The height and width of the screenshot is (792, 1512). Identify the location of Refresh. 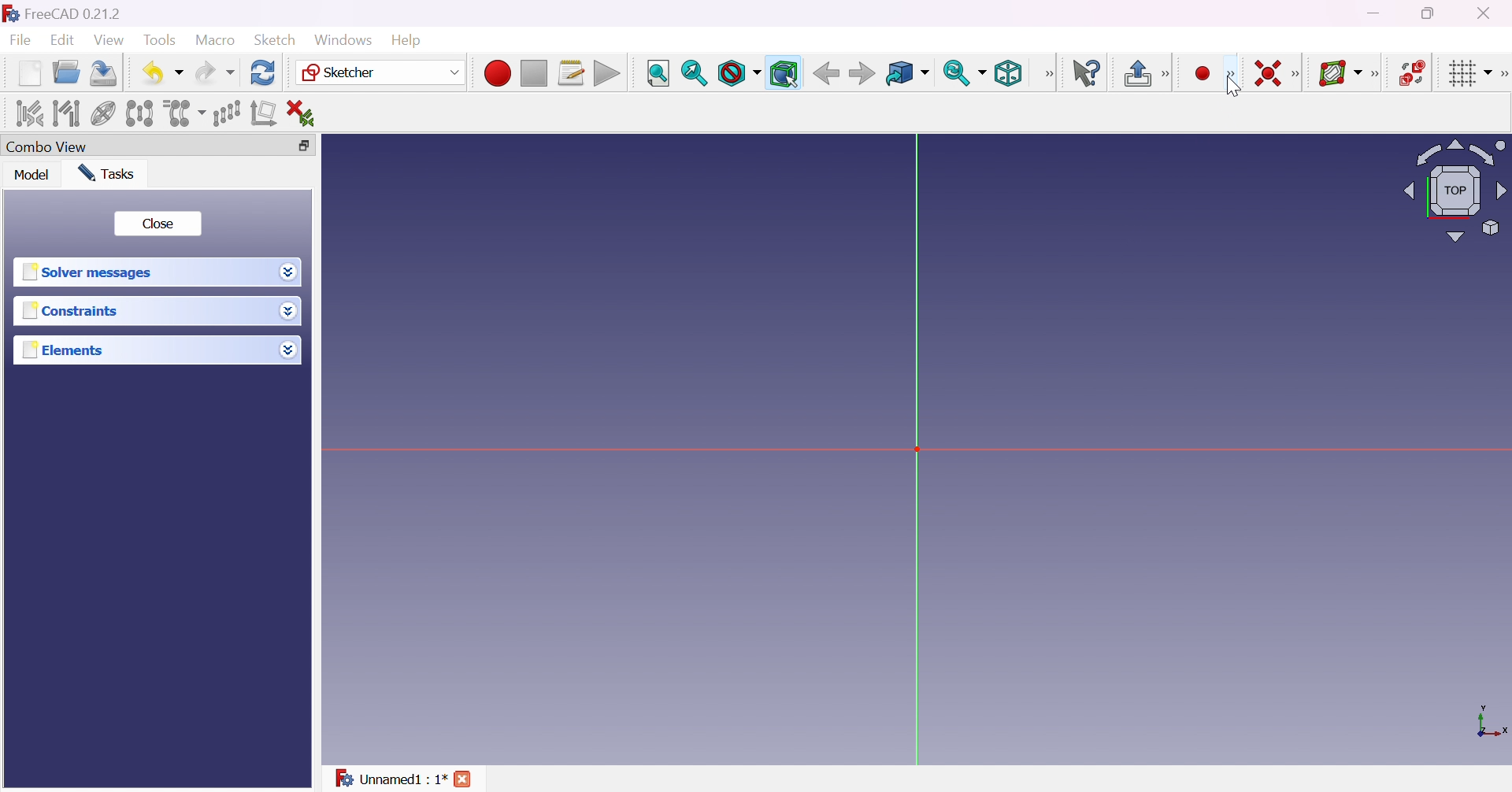
(263, 72).